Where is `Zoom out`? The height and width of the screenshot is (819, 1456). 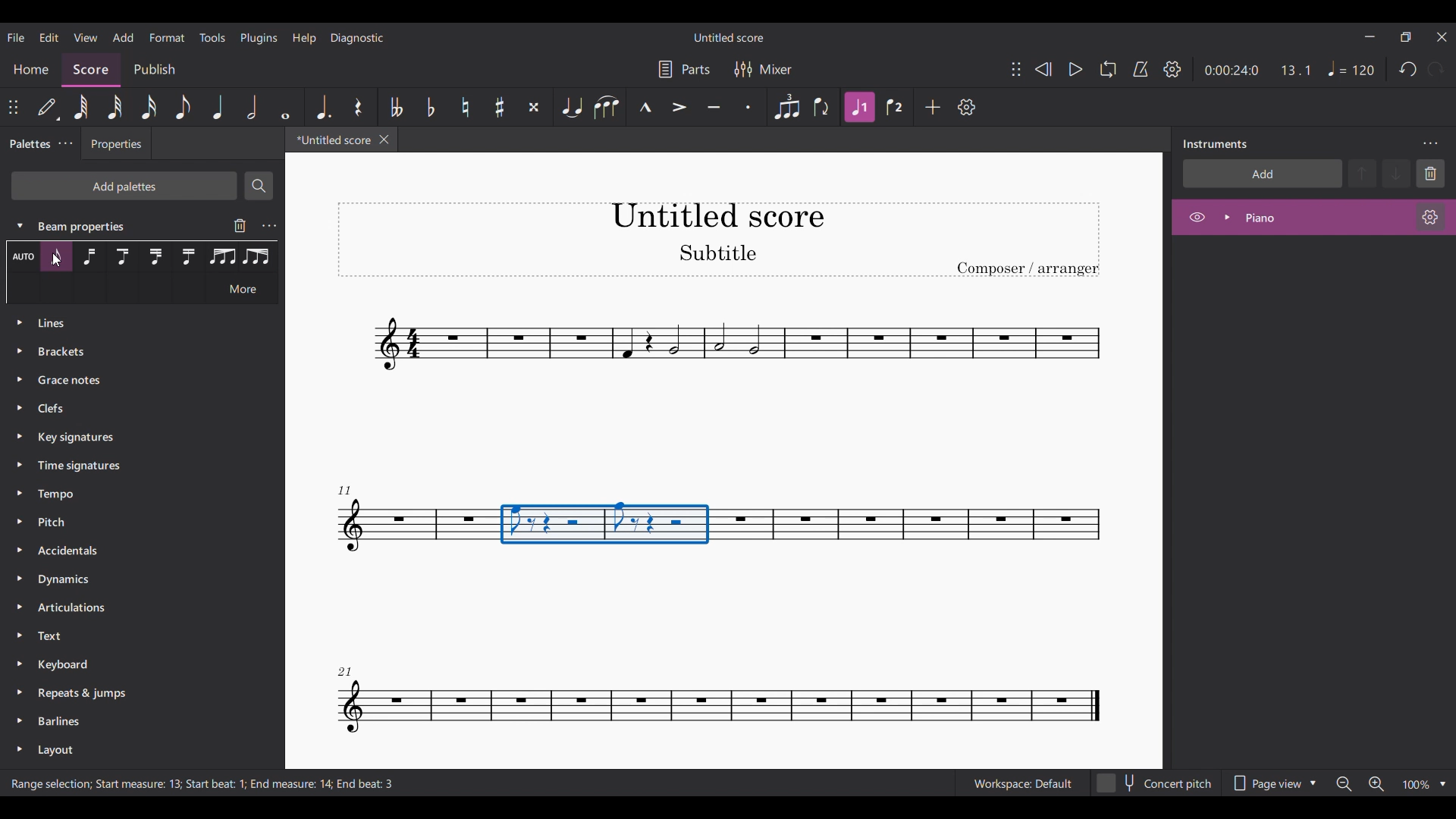 Zoom out is located at coordinates (1345, 784).